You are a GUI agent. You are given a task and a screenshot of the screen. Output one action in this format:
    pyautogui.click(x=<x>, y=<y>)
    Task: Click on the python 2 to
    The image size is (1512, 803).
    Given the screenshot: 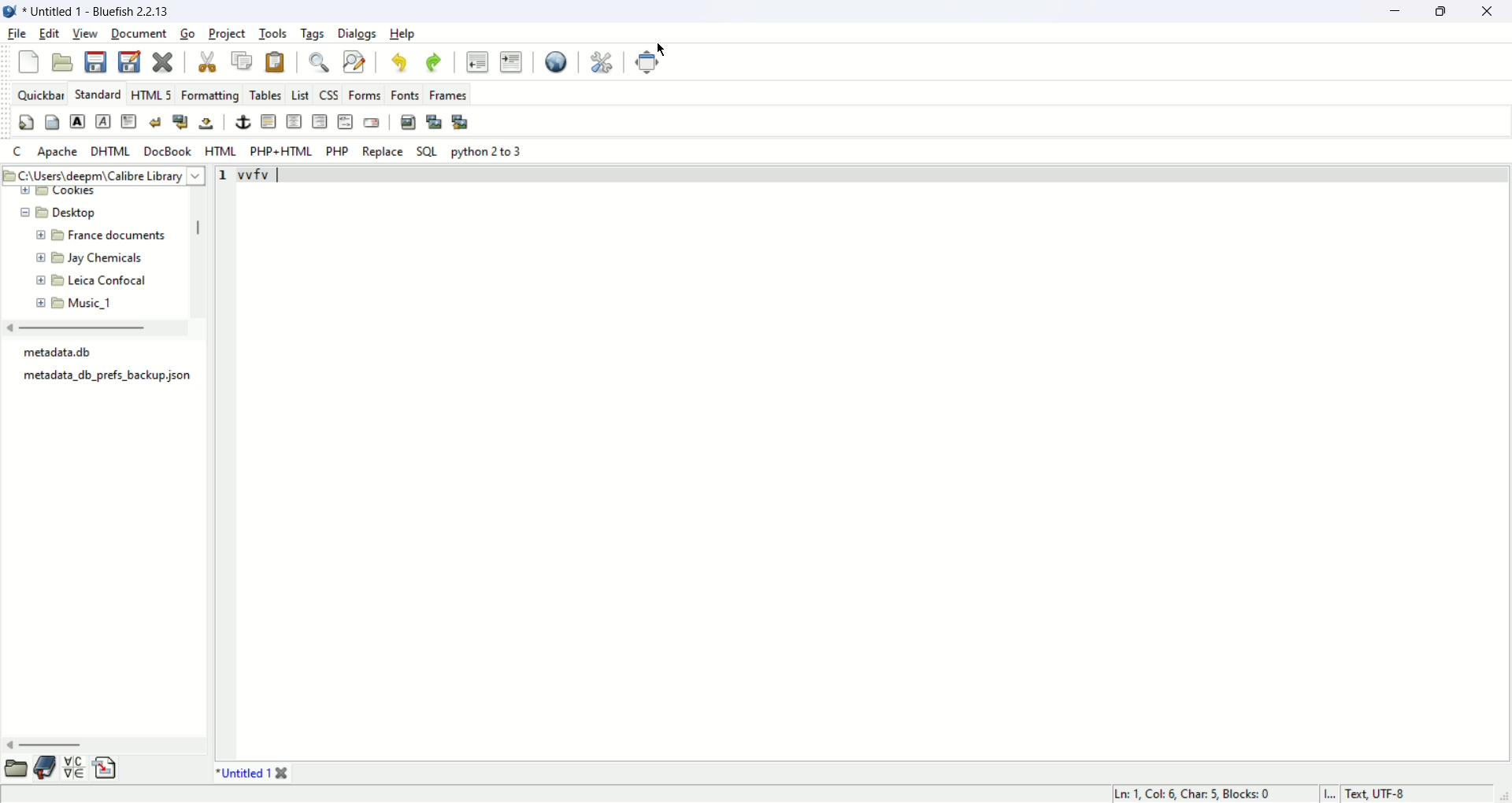 What is the action you would take?
    pyautogui.click(x=489, y=151)
    